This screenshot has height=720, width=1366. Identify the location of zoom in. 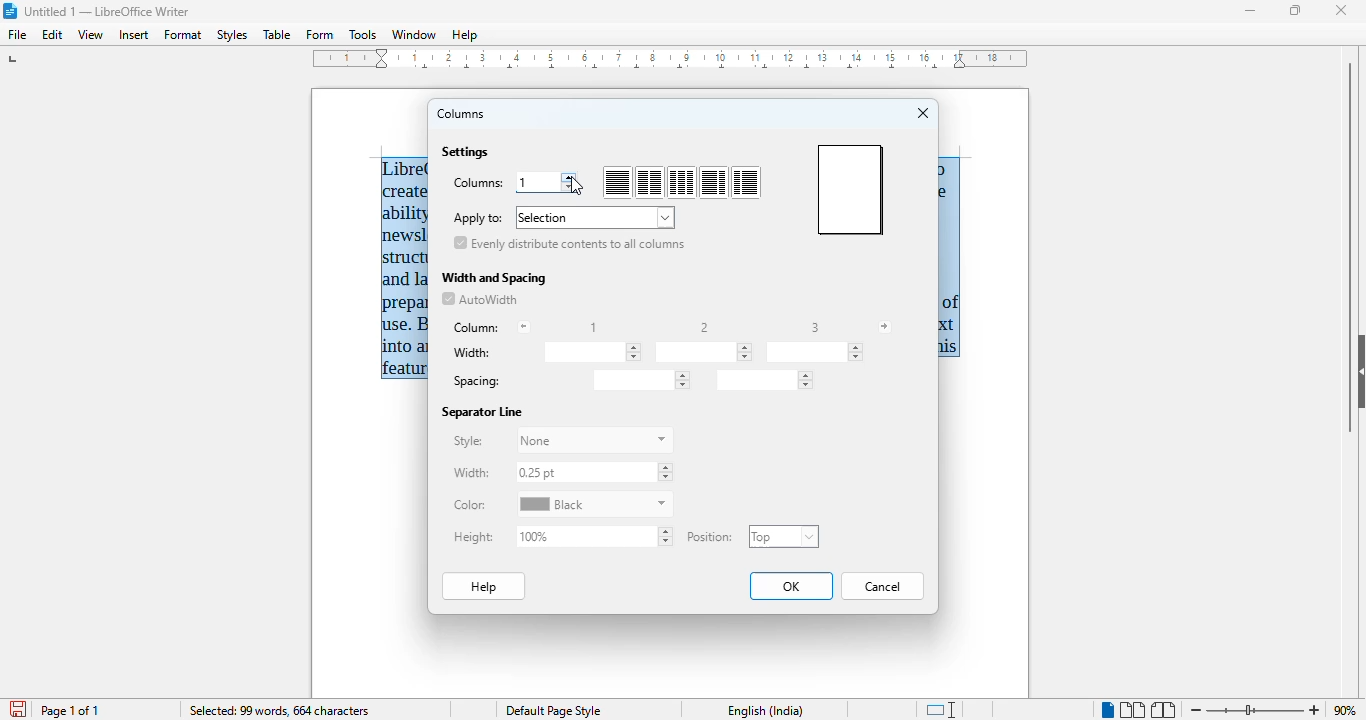
(1315, 710).